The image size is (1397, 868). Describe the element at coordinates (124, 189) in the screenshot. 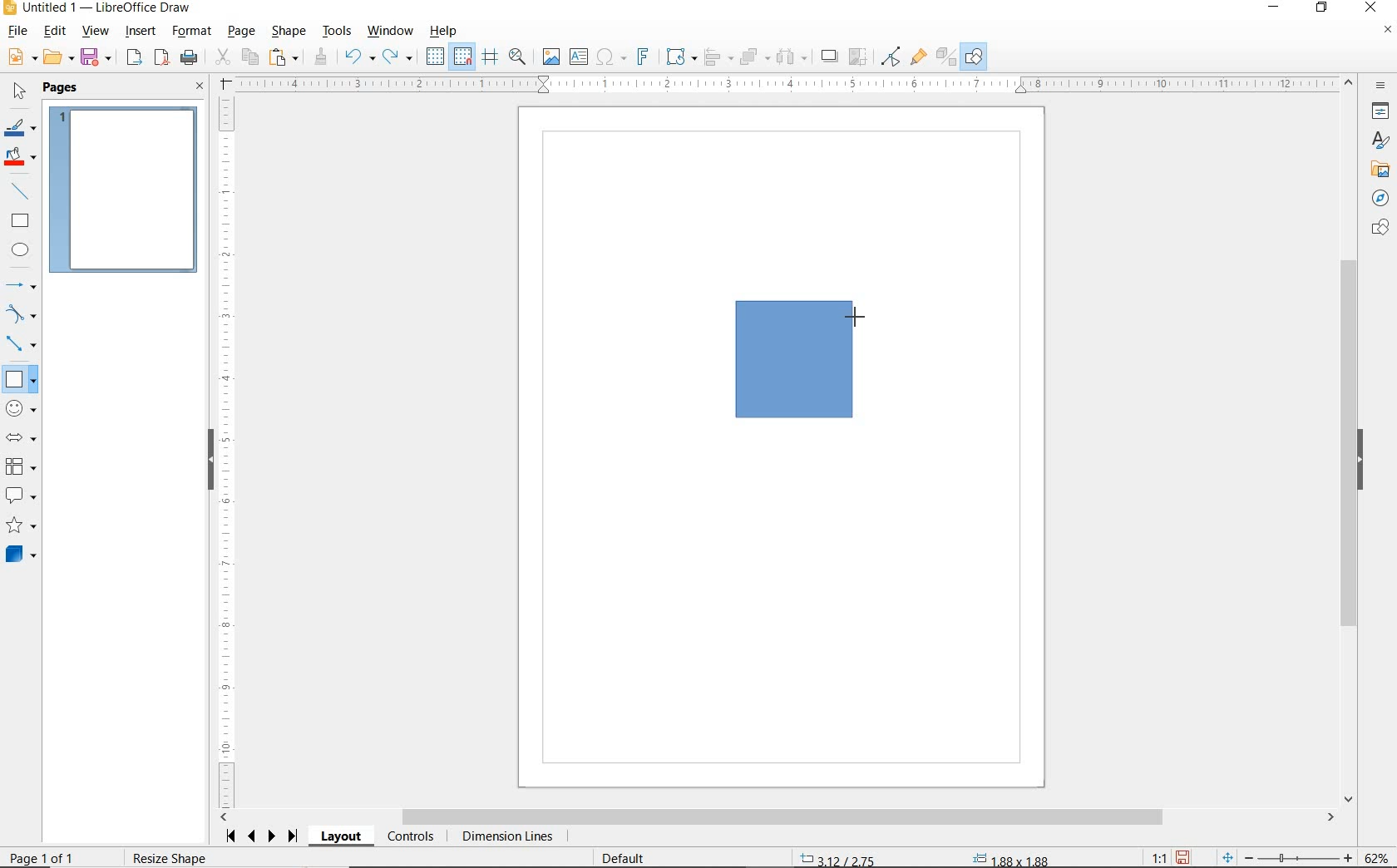

I see `PAGE 1` at that location.